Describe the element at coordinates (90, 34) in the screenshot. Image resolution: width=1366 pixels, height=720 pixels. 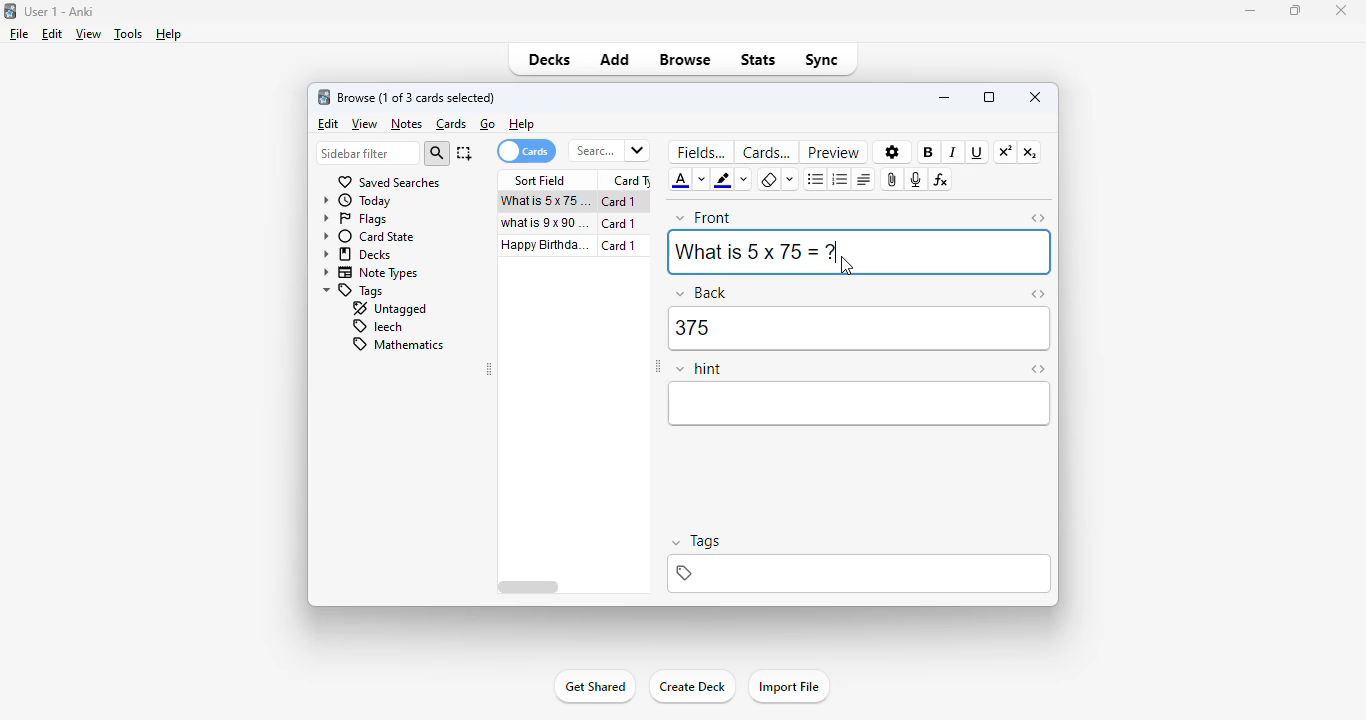
I see `view` at that location.